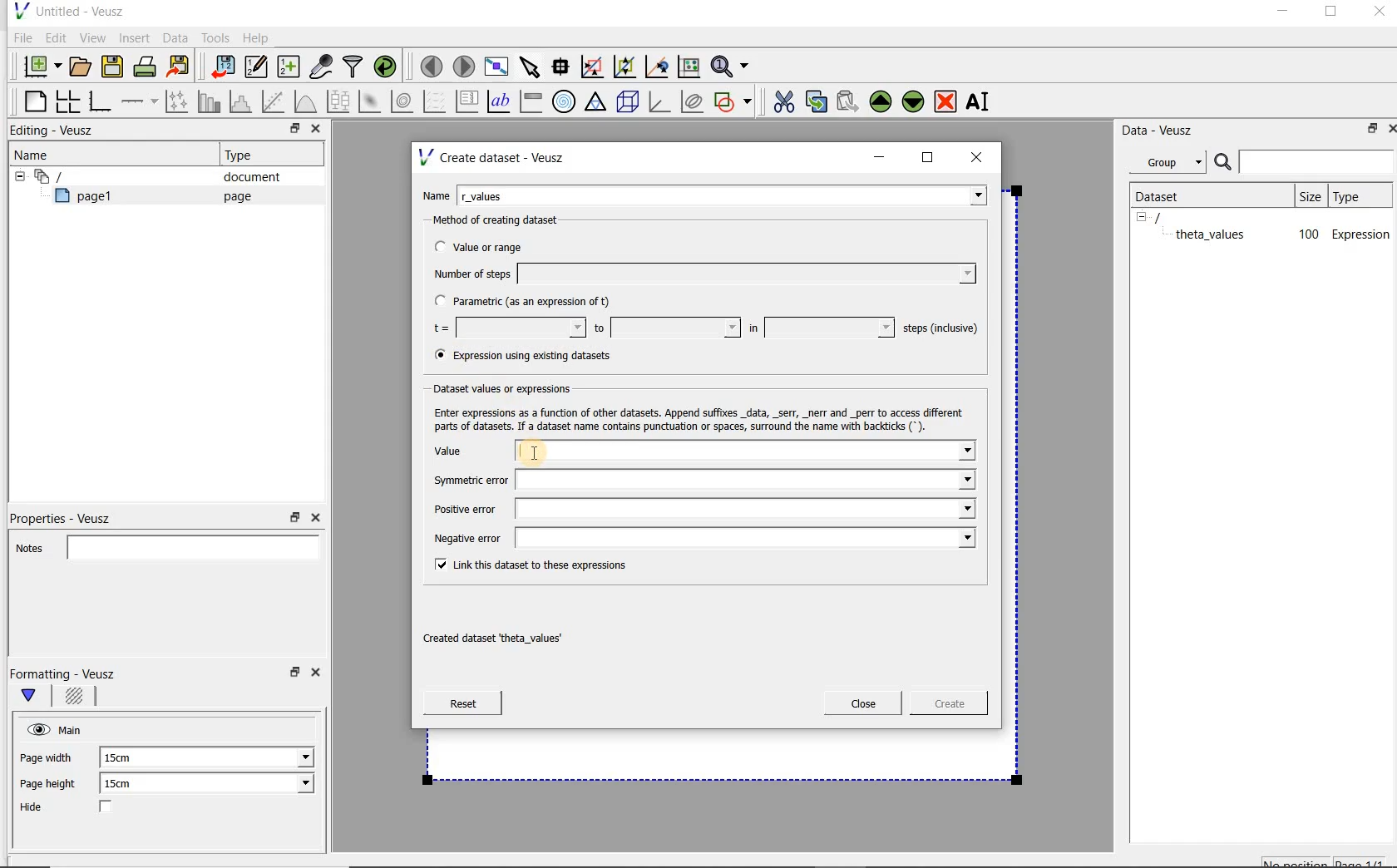 This screenshot has width=1397, height=868. What do you see at coordinates (597, 102) in the screenshot?
I see `ternary graph` at bounding box center [597, 102].